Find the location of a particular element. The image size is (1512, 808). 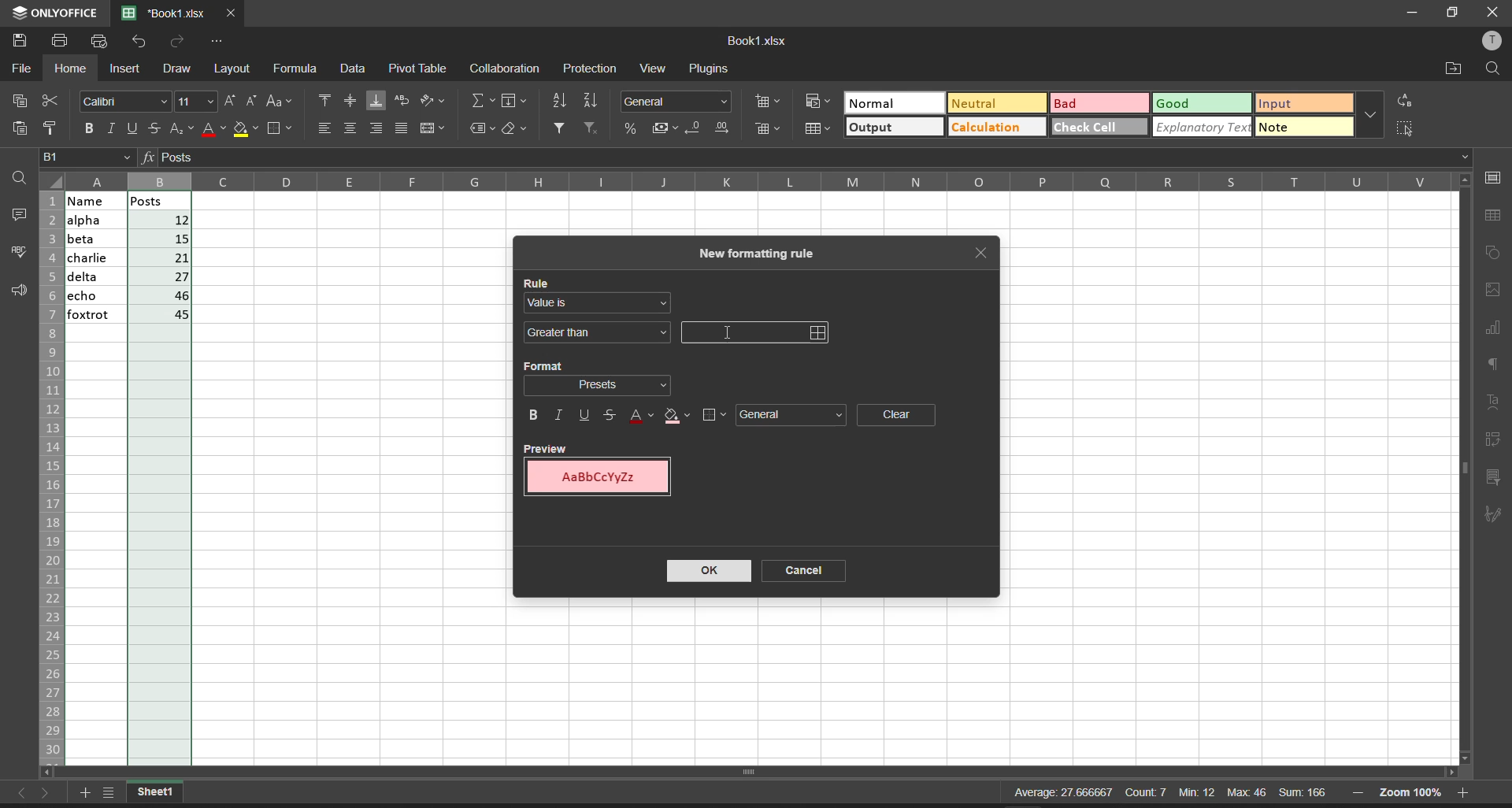

align top is located at coordinates (322, 102).